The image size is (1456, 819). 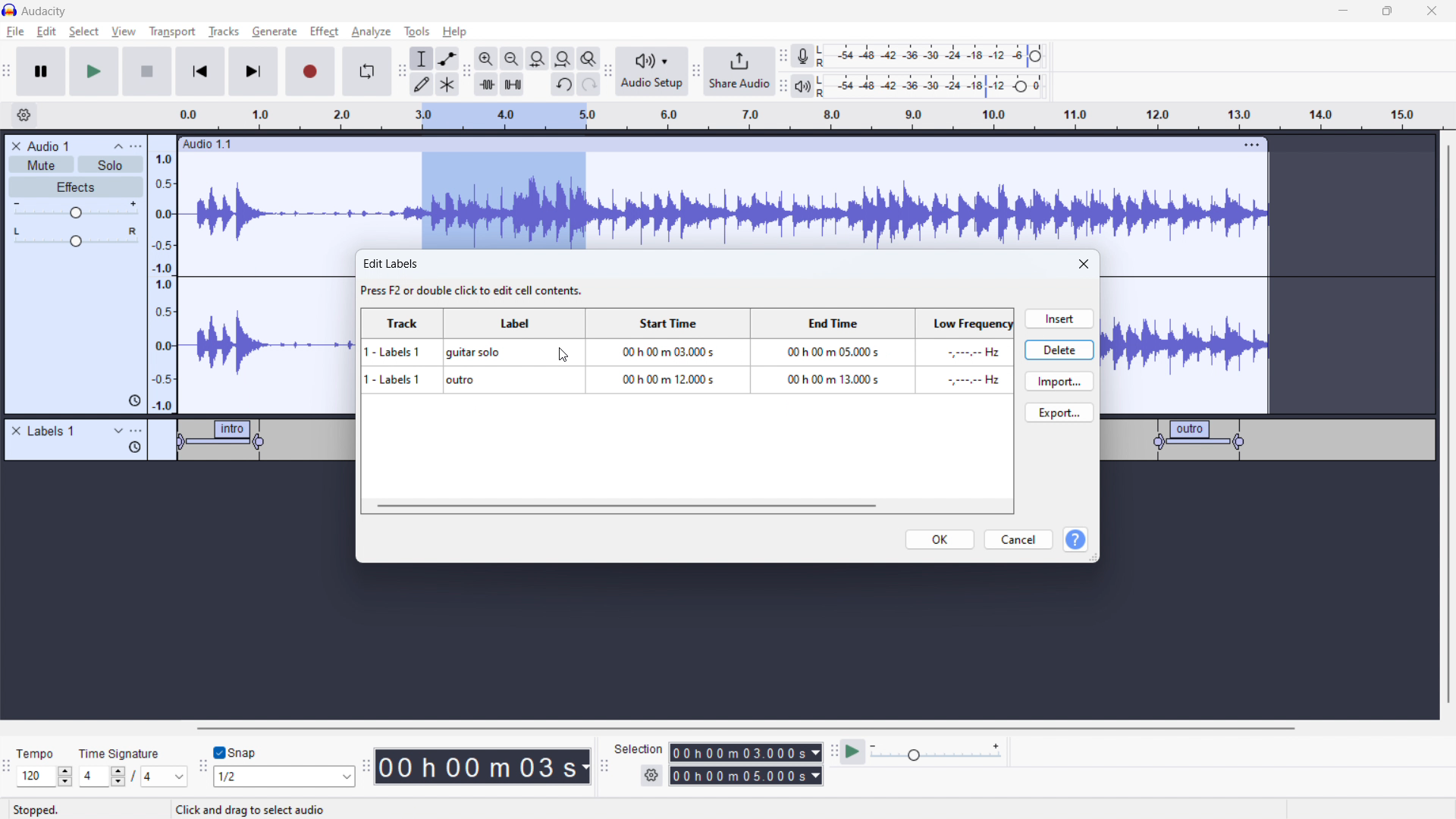 I want to click on solo, so click(x=111, y=165).